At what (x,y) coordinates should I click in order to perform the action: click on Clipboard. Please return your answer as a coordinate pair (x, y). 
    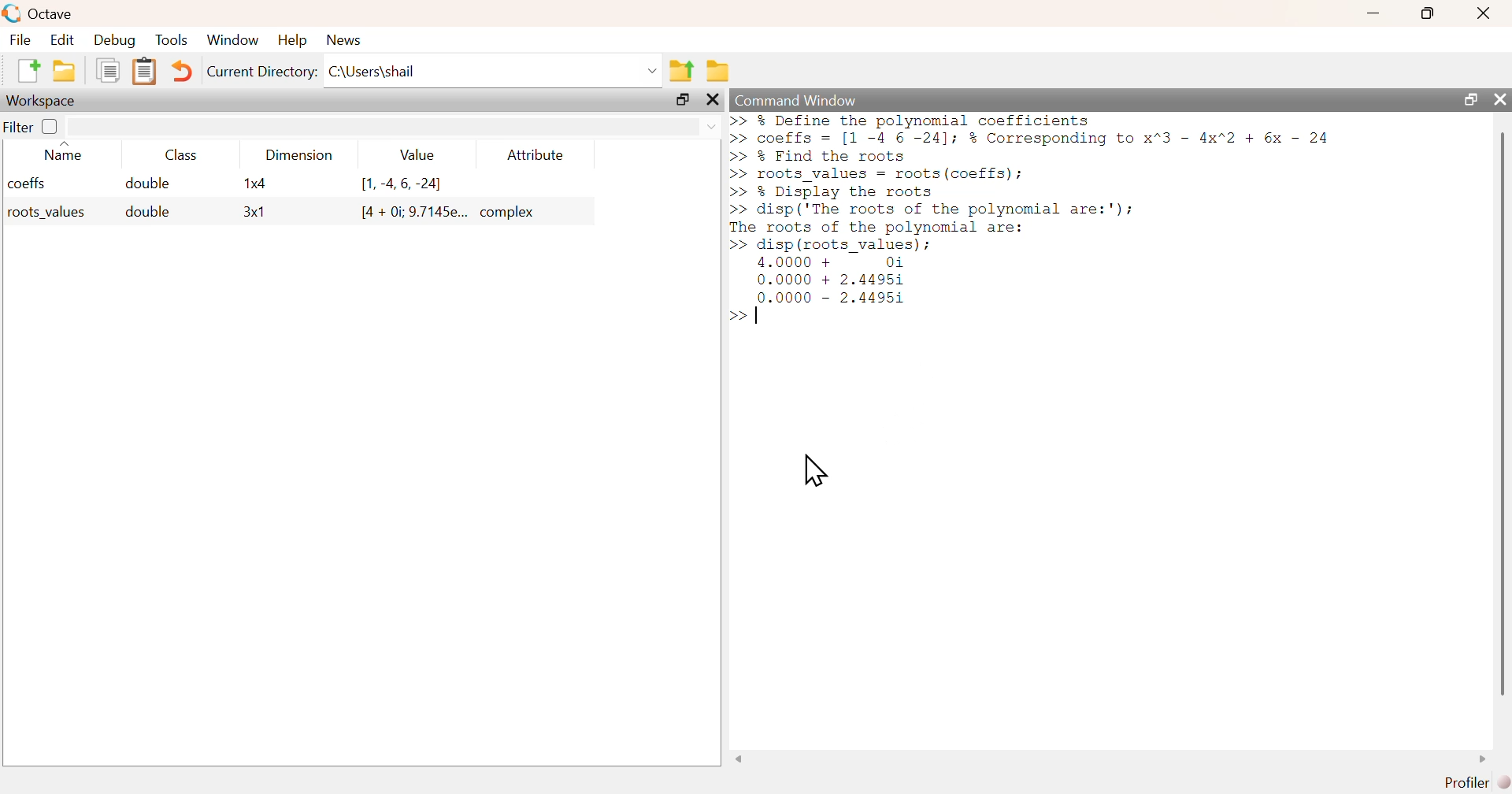
    Looking at the image, I should click on (143, 72).